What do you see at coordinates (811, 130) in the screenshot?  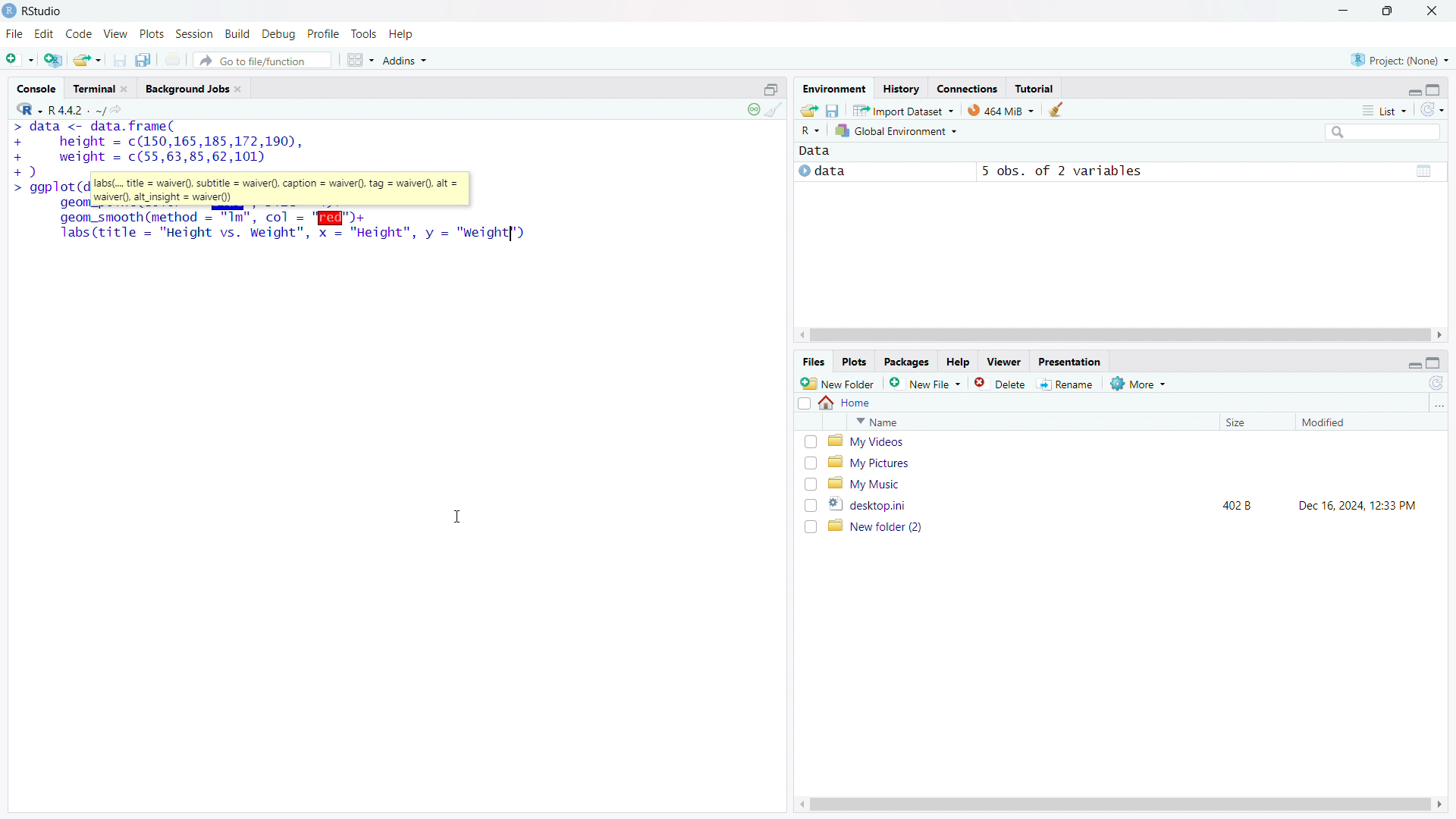 I see `select programming langugae` at bounding box center [811, 130].